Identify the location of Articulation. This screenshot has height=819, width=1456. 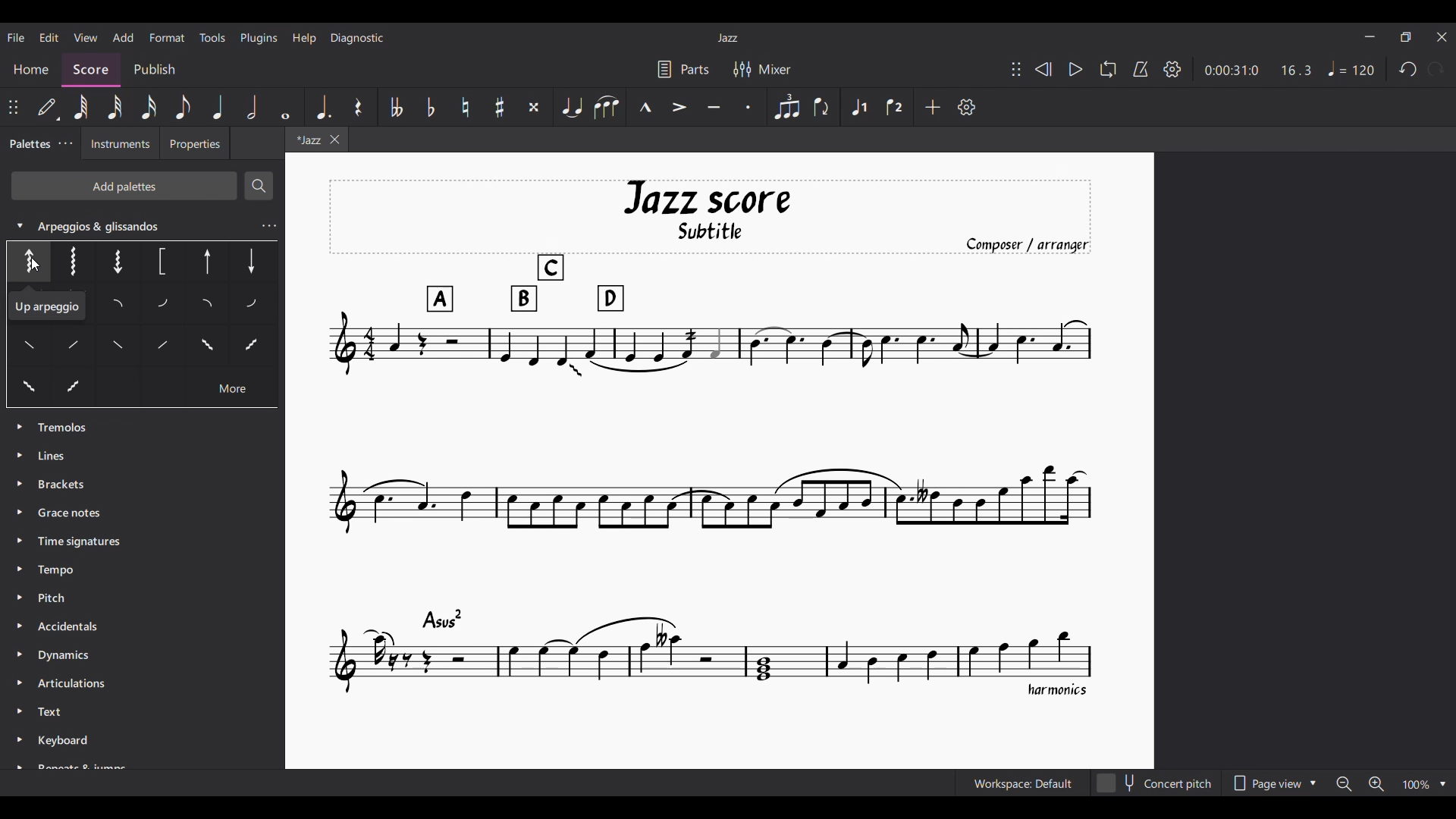
(76, 686).